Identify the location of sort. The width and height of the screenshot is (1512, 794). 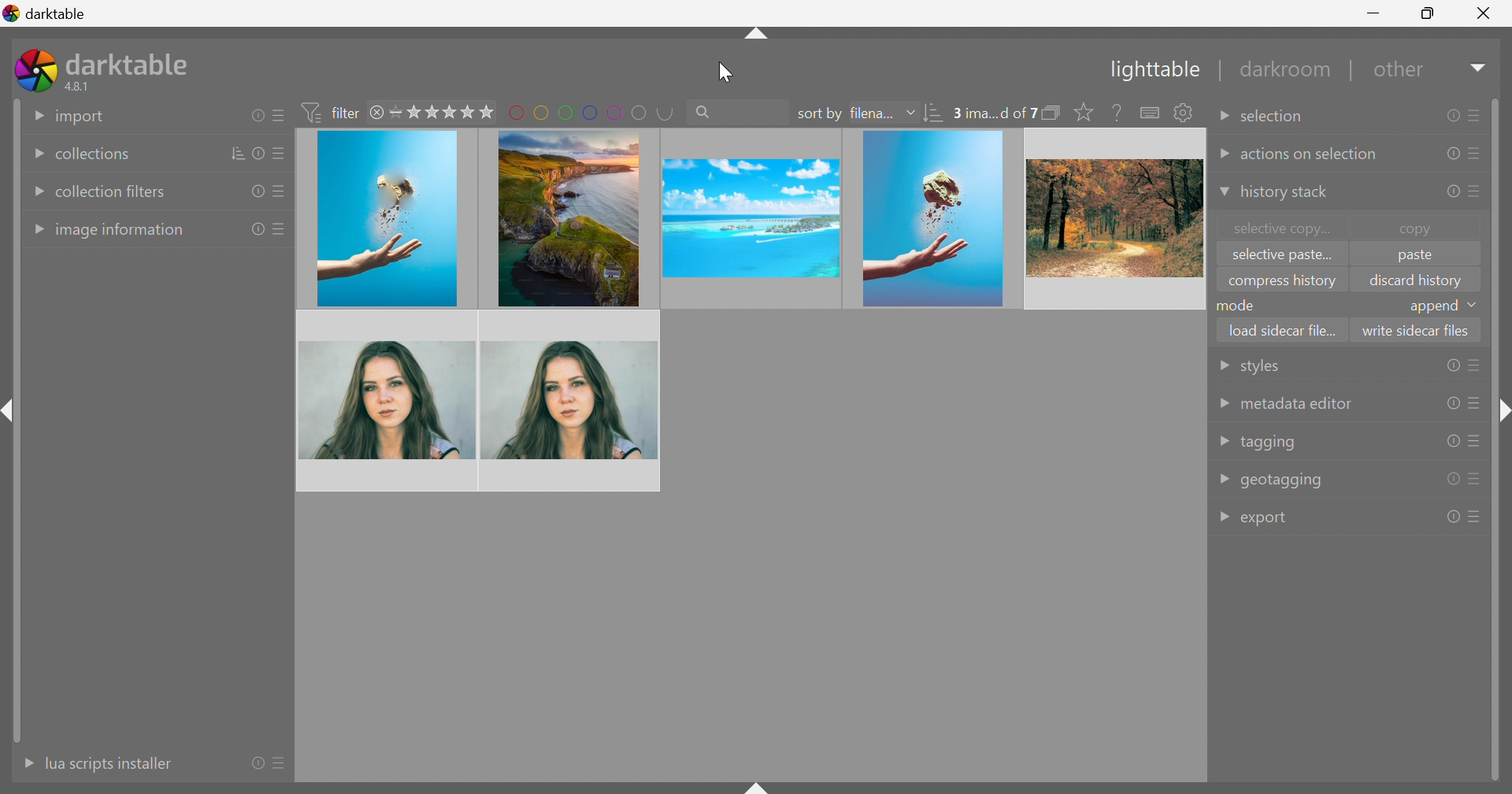
(935, 115).